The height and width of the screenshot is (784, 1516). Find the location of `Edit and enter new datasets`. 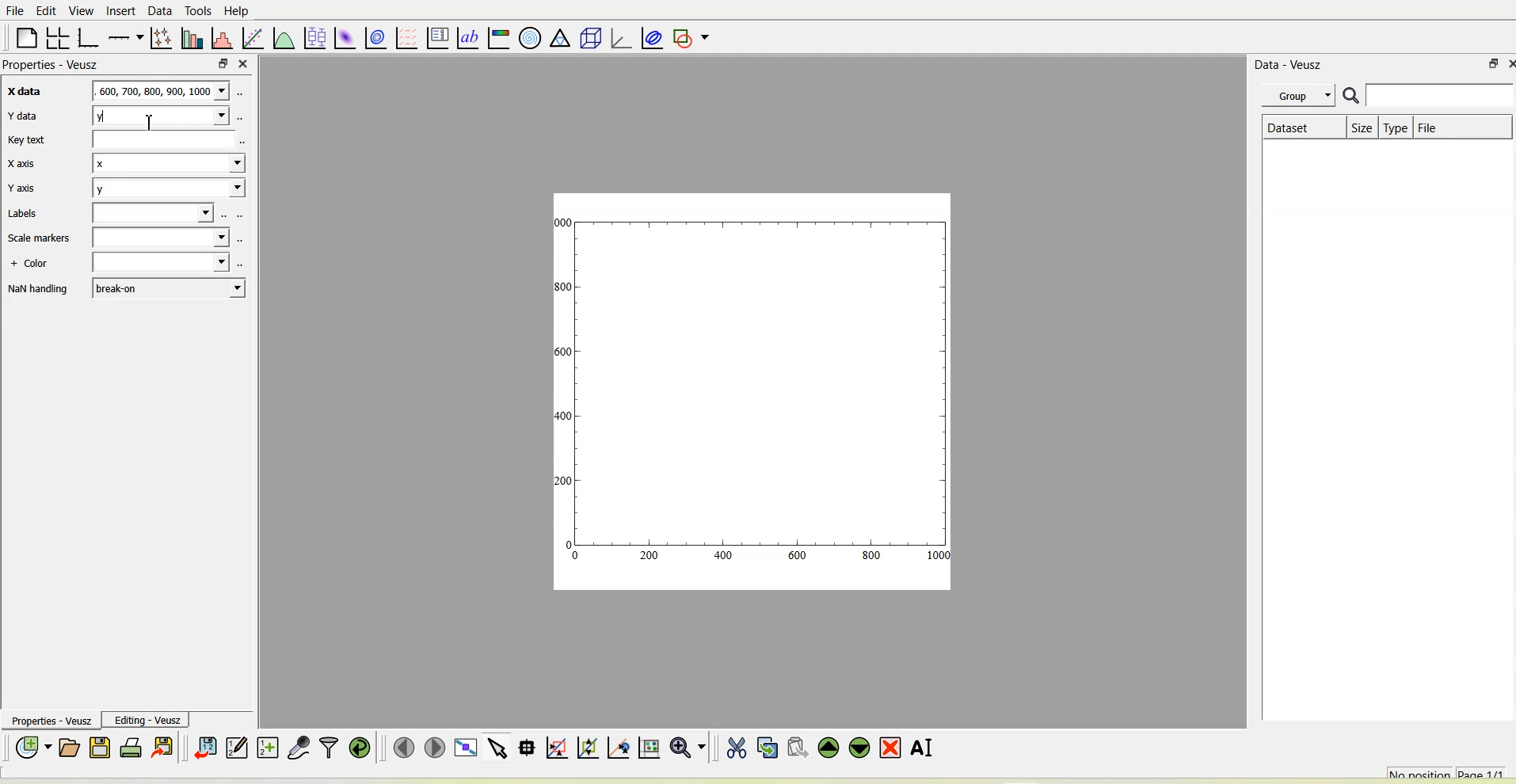

Edit and enter new datasets is located at coordinates (235, 748).